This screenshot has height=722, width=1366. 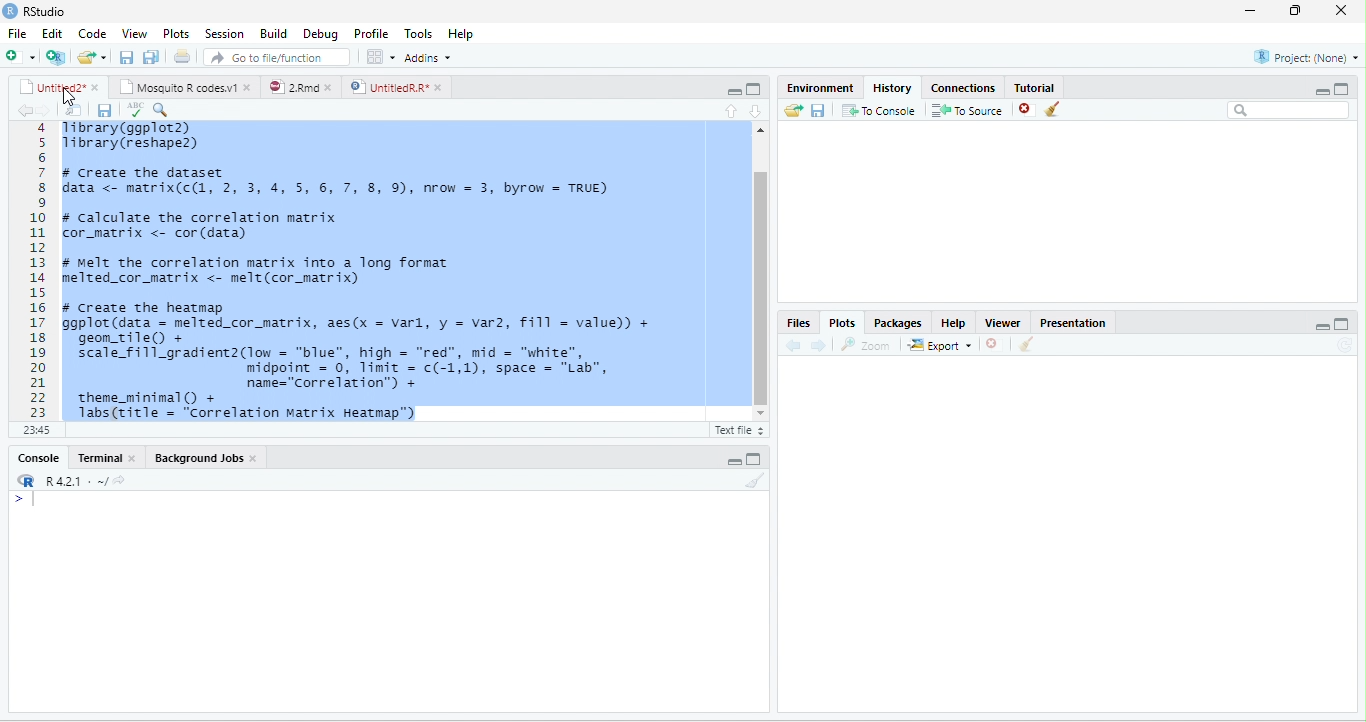 What do you see at coordinates (217, 458) in the screenshot?
I see `Backgroun jobs` at bounding box center [217, 458].